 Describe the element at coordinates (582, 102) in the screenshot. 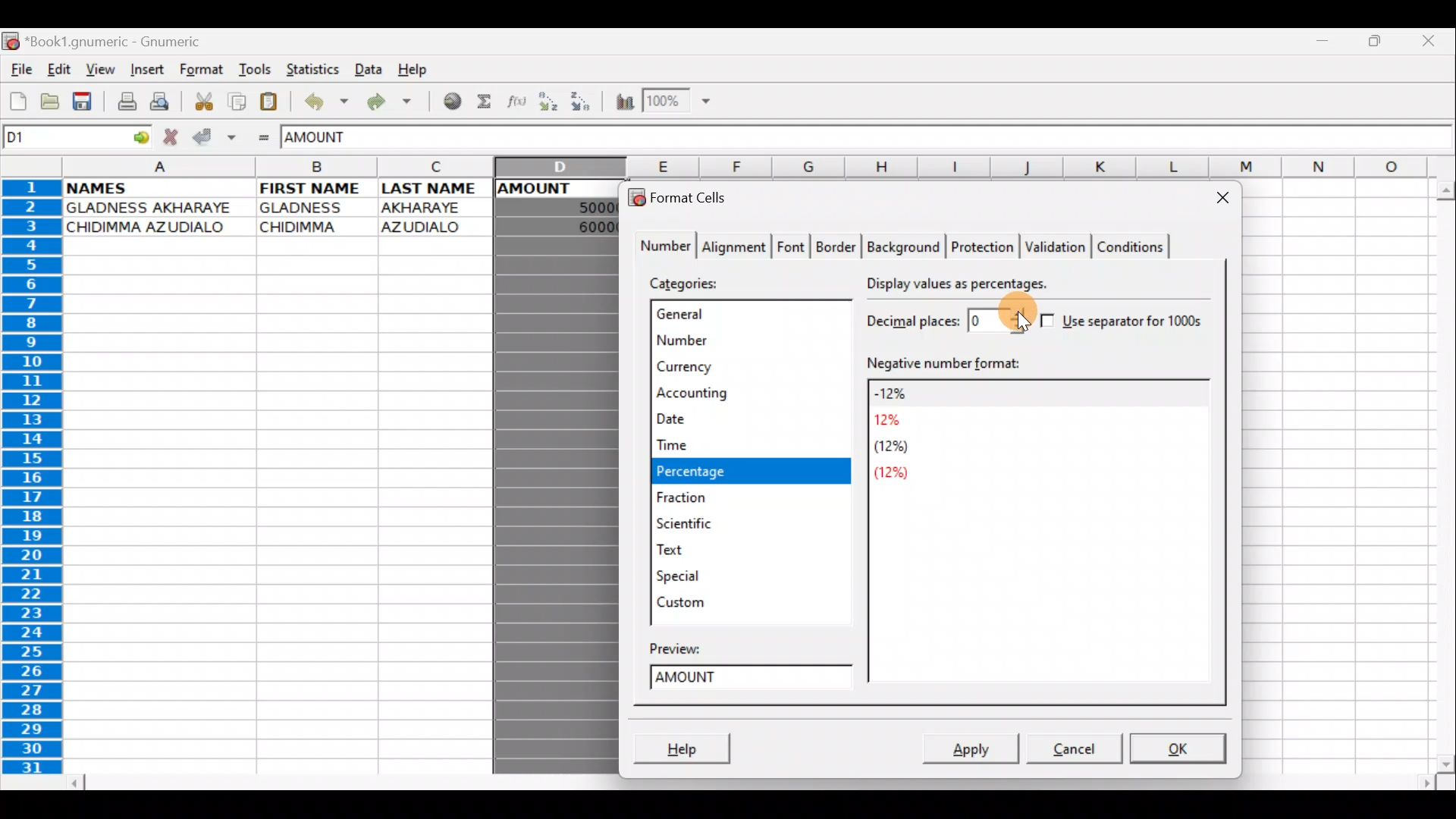

I see `Sort Descending order` at that location.